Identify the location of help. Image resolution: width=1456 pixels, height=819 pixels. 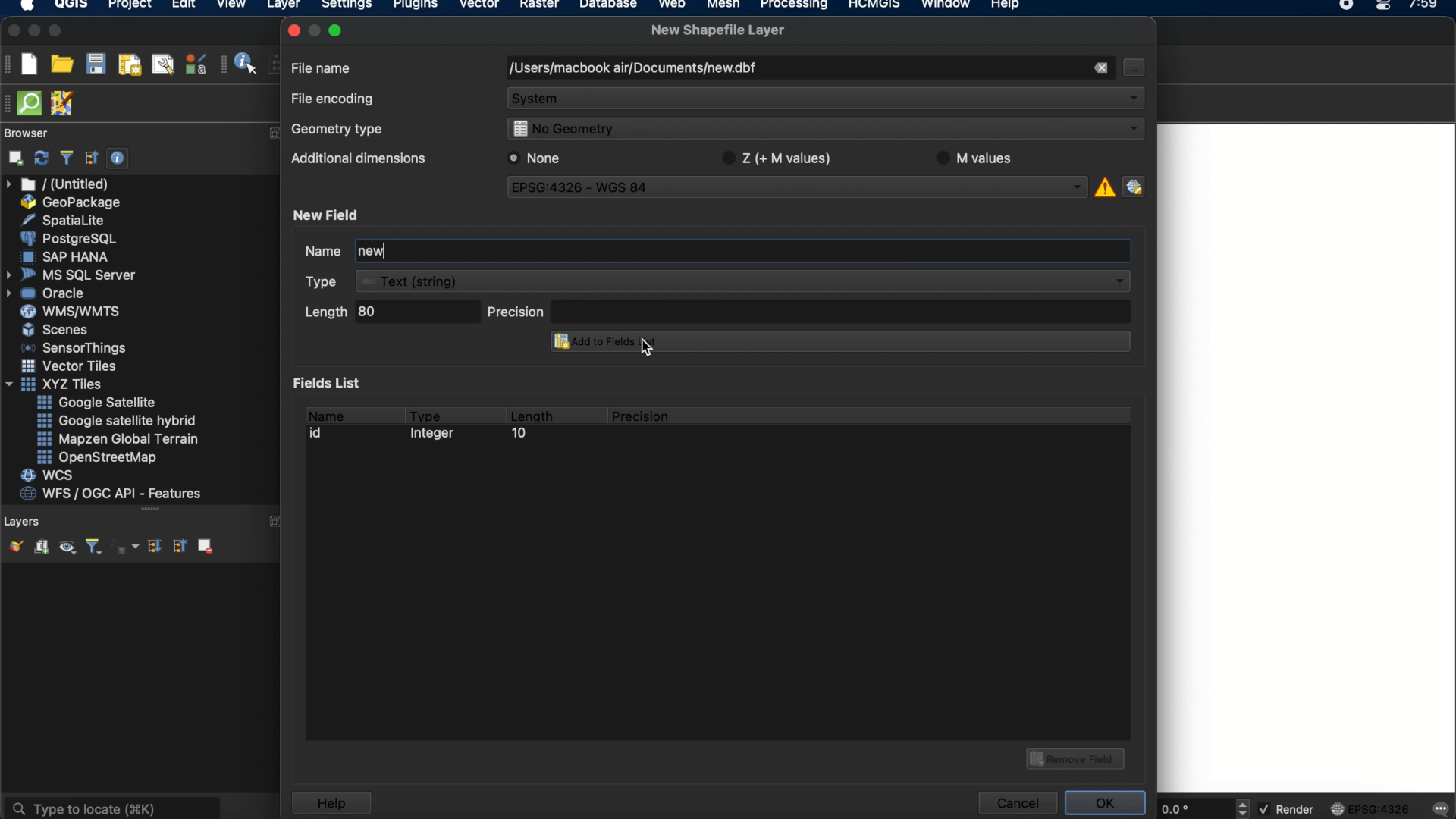
(331, 803).